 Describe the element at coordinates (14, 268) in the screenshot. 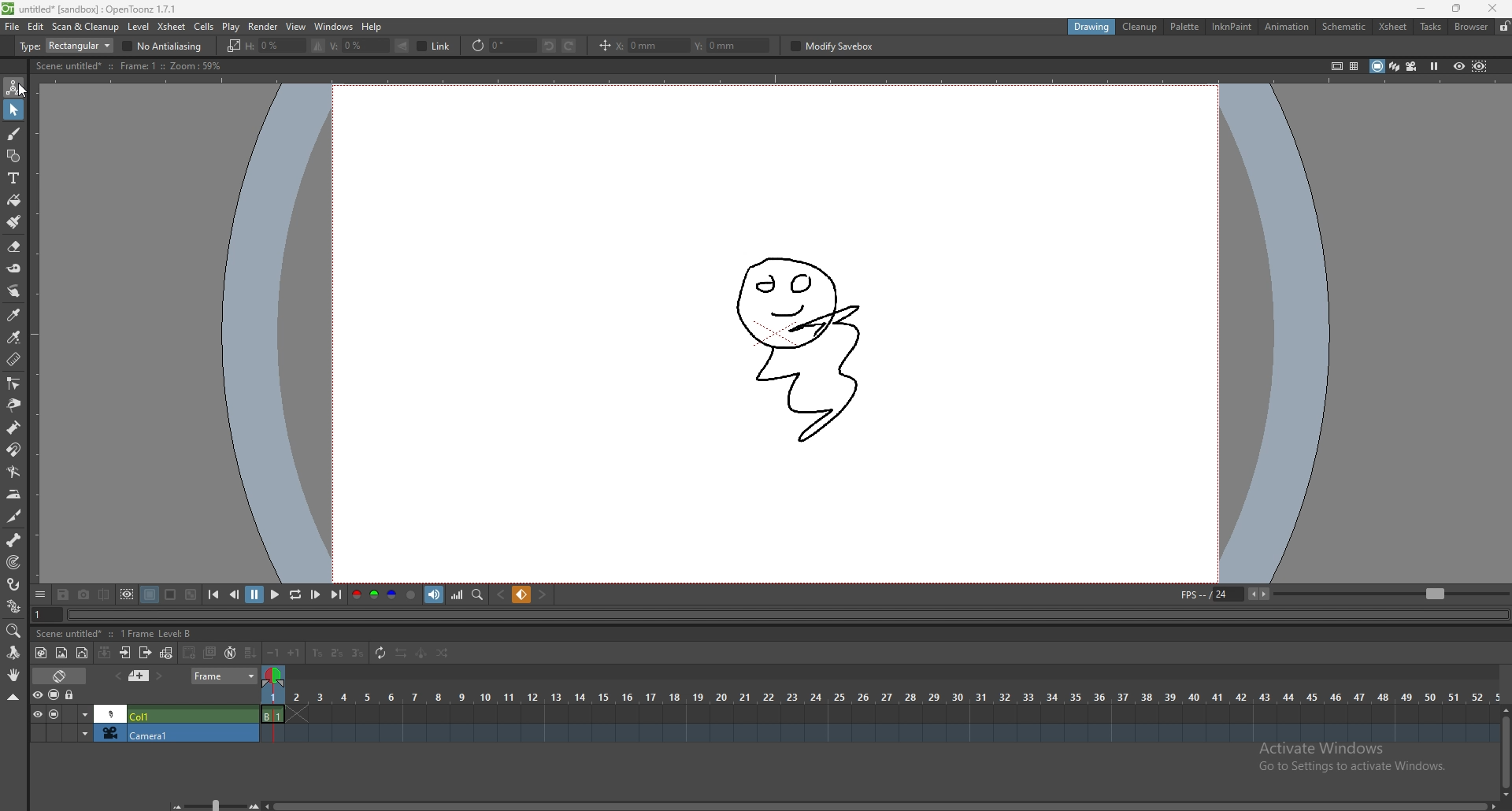

I see `tape` at that location.